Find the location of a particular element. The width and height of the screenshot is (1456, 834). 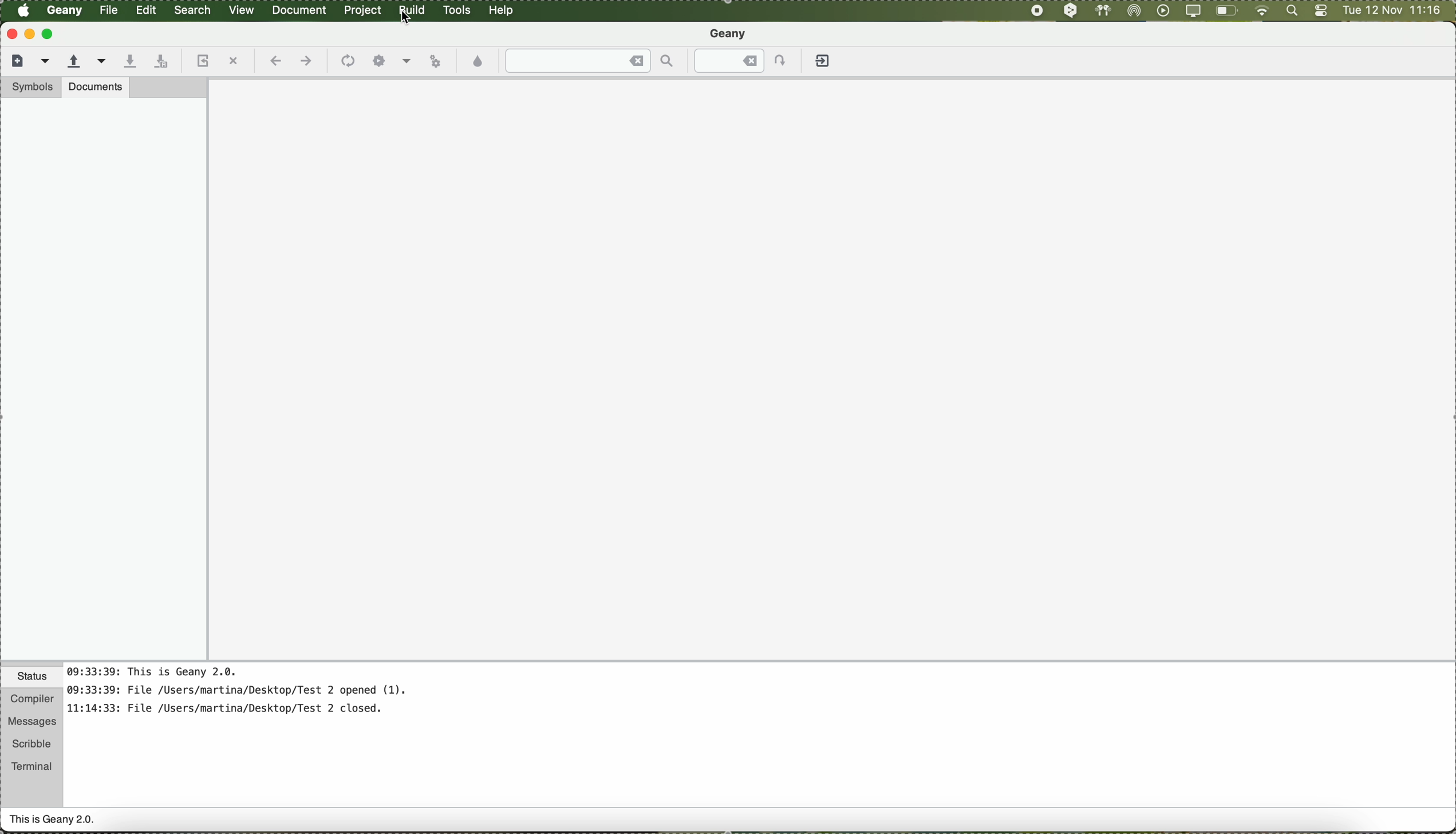

airpods is located at coordinates (1102, 10).